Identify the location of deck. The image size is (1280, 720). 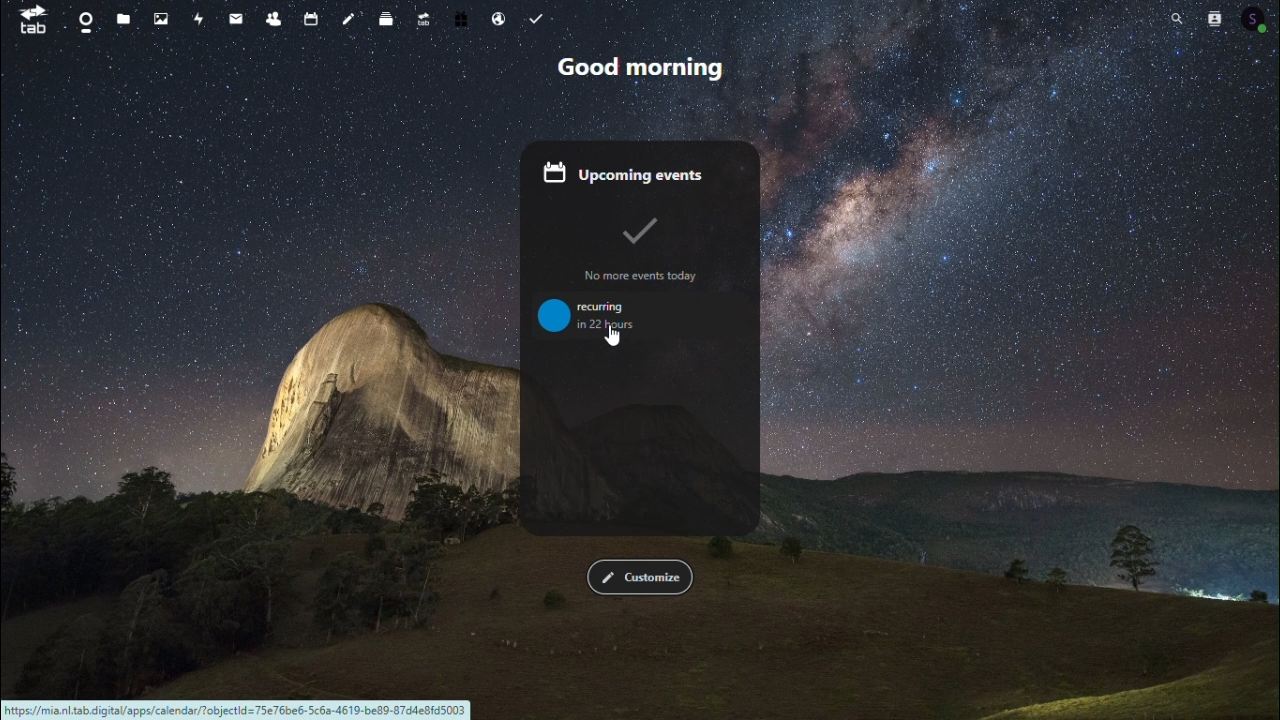
(391, 15).